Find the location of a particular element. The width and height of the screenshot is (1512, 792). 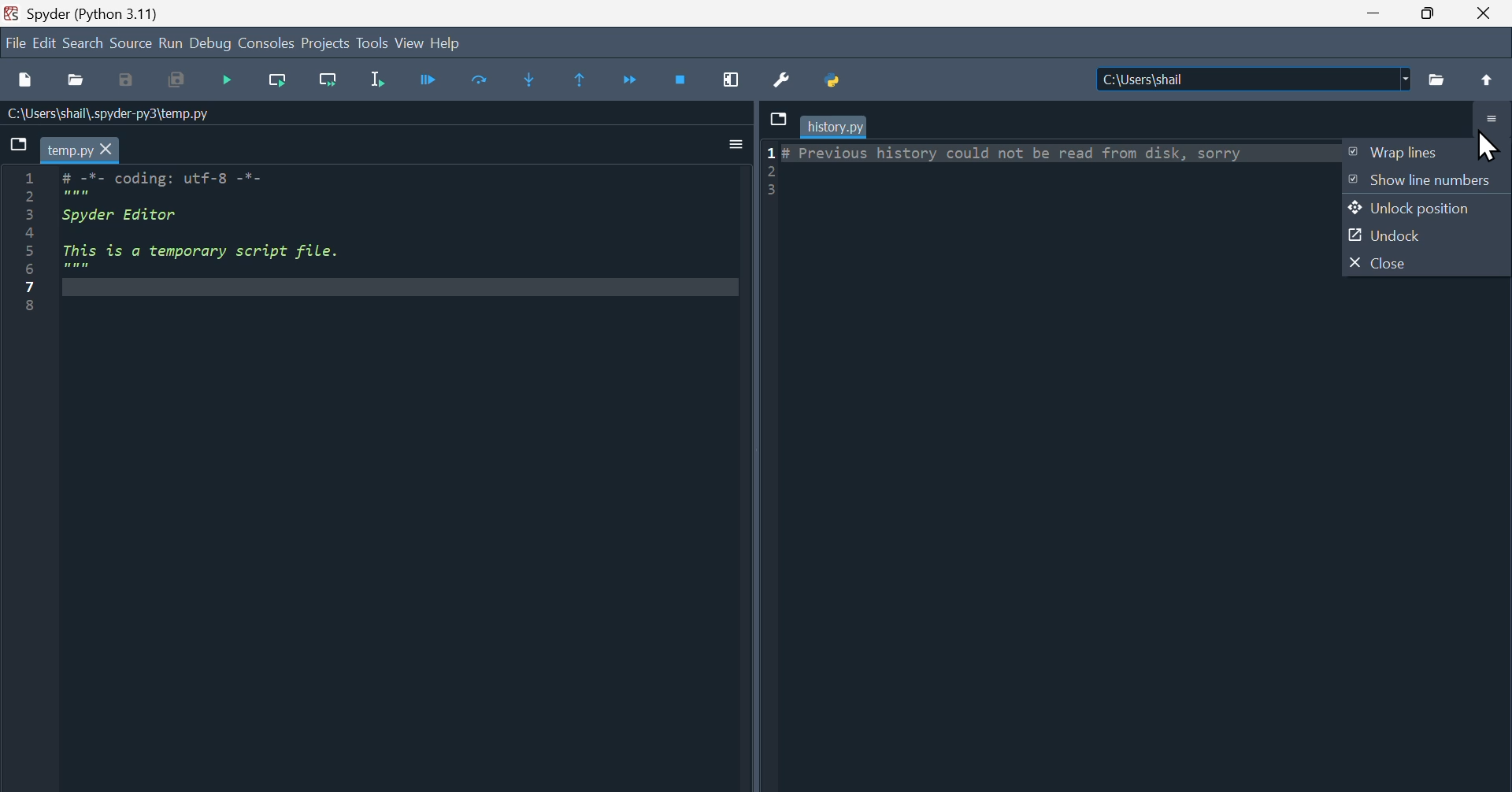

open file is located at coordinates (79, 83).